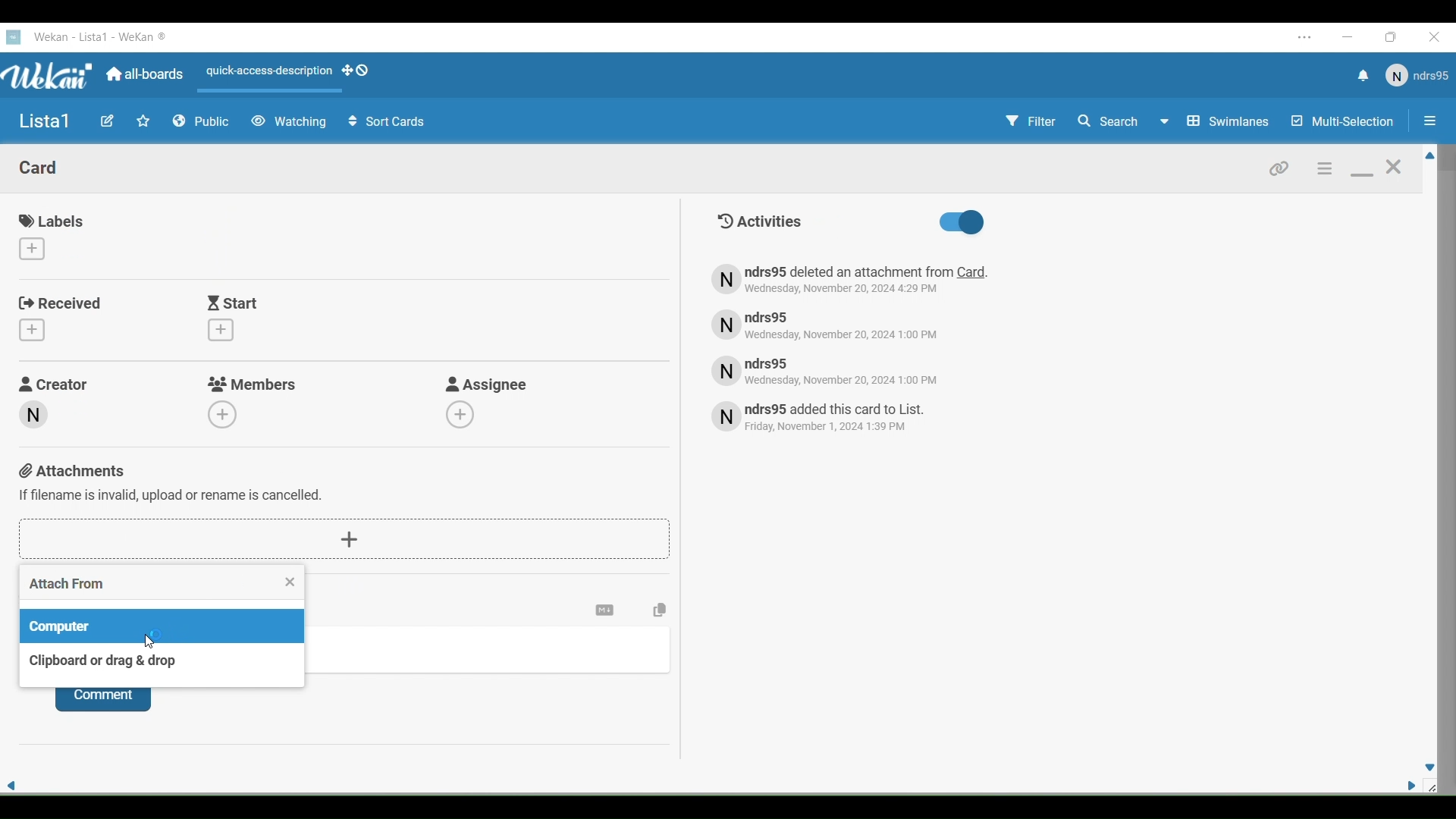 Image resolution: width=1456 pixels, height=819 pixels. Describe the element at coordinates (293, 75) in the screenshot. I see `Actions` at that location.